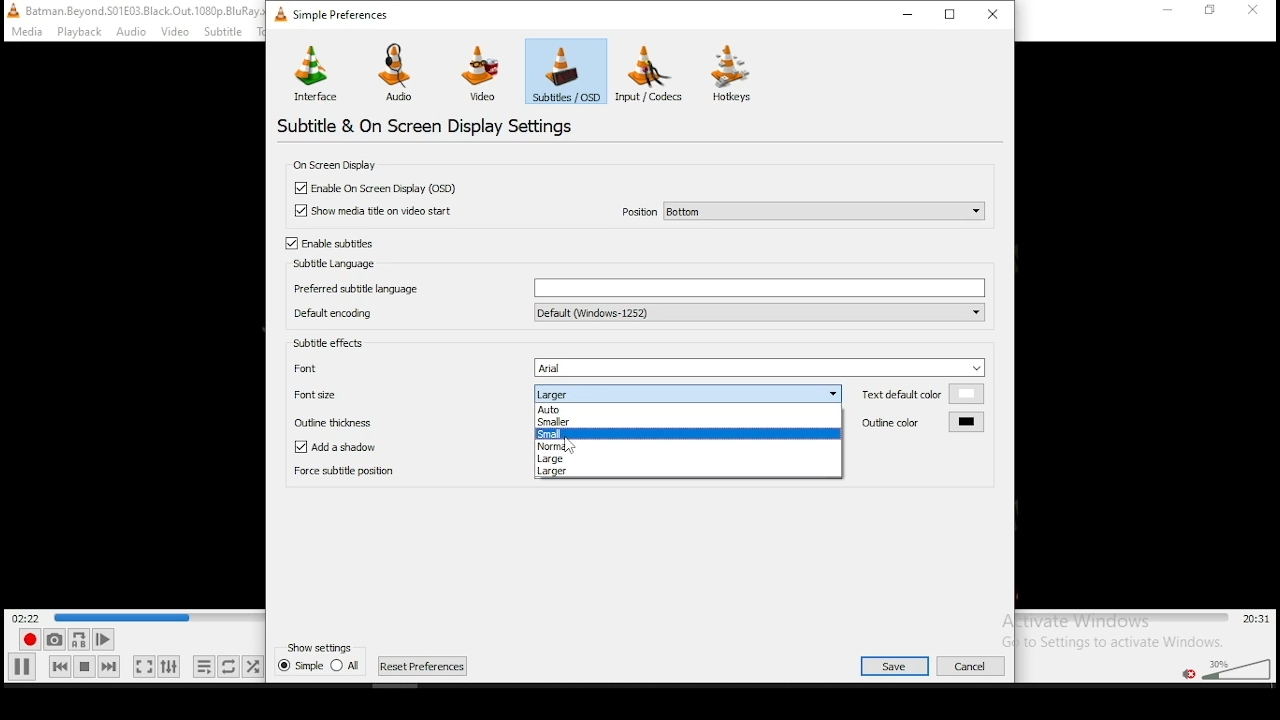 This screenshot has width=1280, height=720. Describe the element at coordinates (376, 188) in the screenshot. I see `checkbox: enable on screen display` at that location.